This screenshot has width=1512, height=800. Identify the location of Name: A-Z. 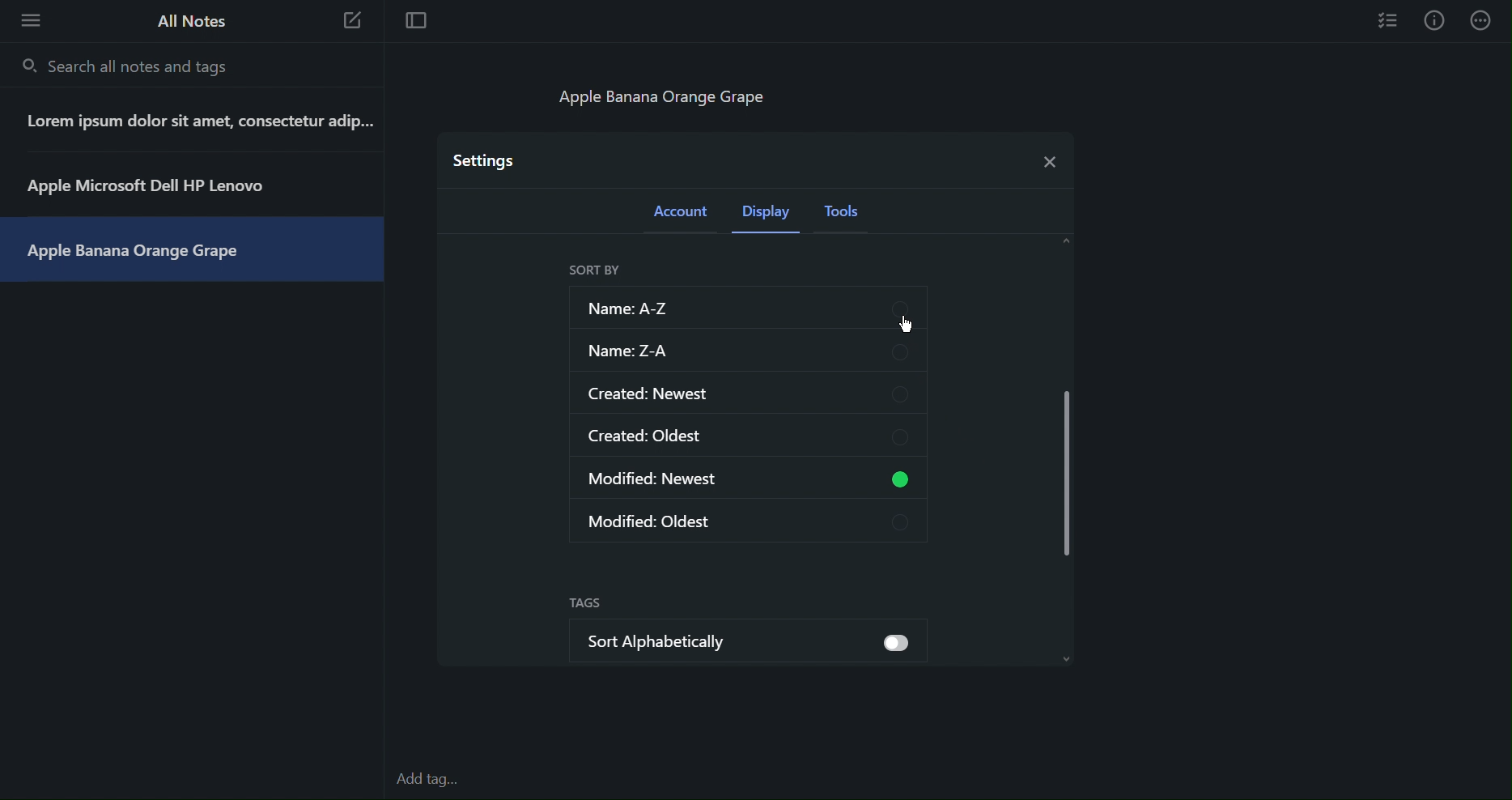
(744, 307).